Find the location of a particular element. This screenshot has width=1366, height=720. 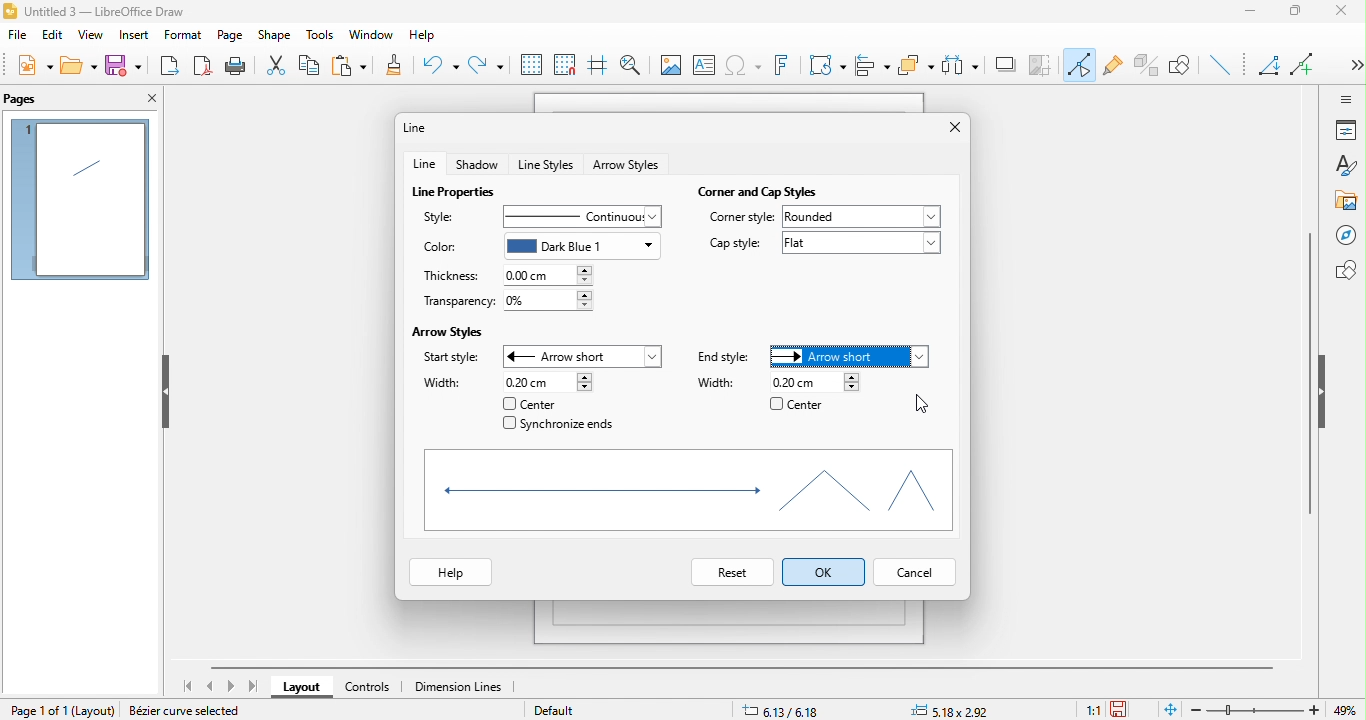

shapes is located at coordinates (686, 492).